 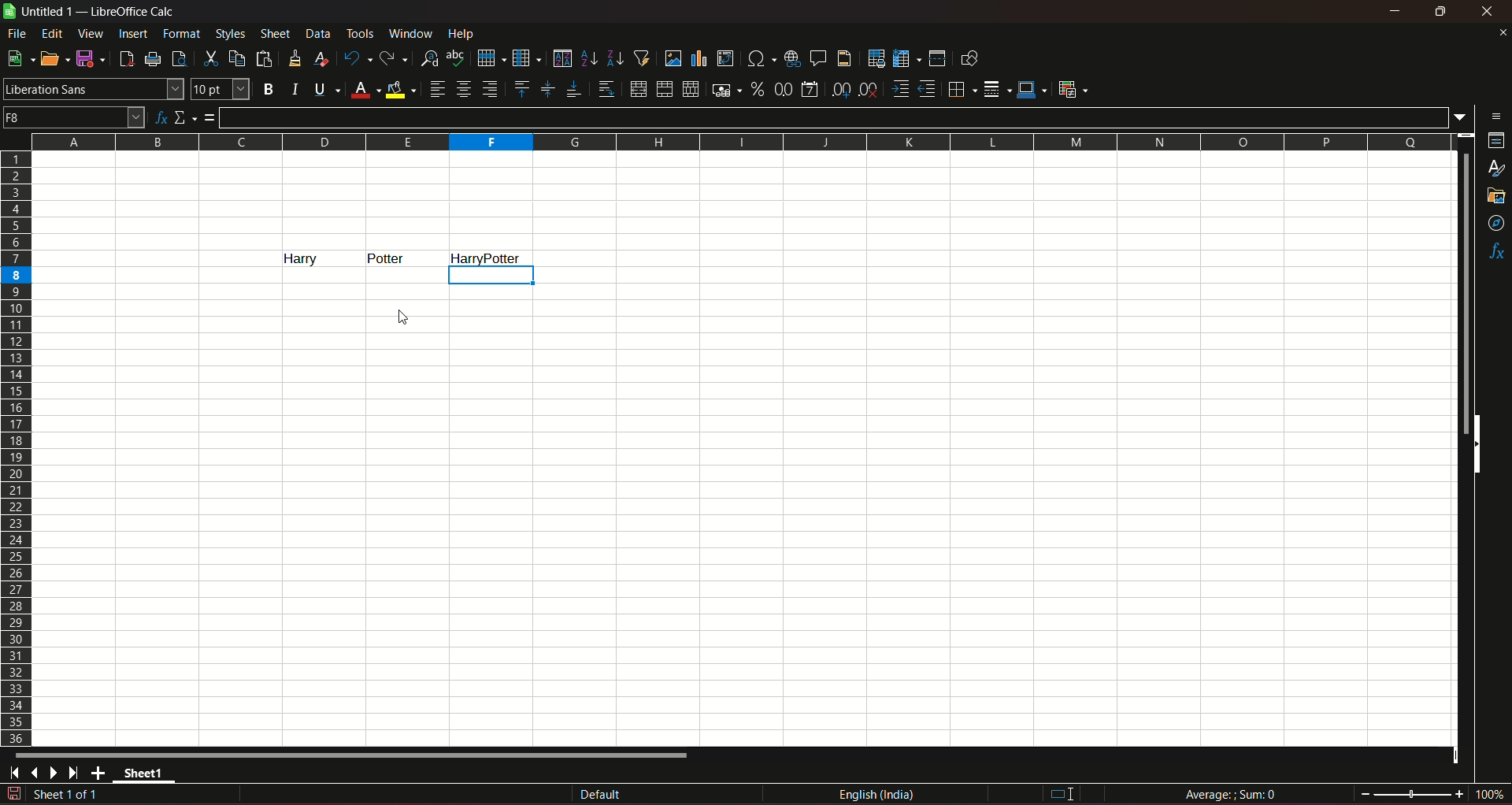 What do you see at coordinates (1498, 169) in the screenshot?
I see `styles` at bounding box center [1498, 169].